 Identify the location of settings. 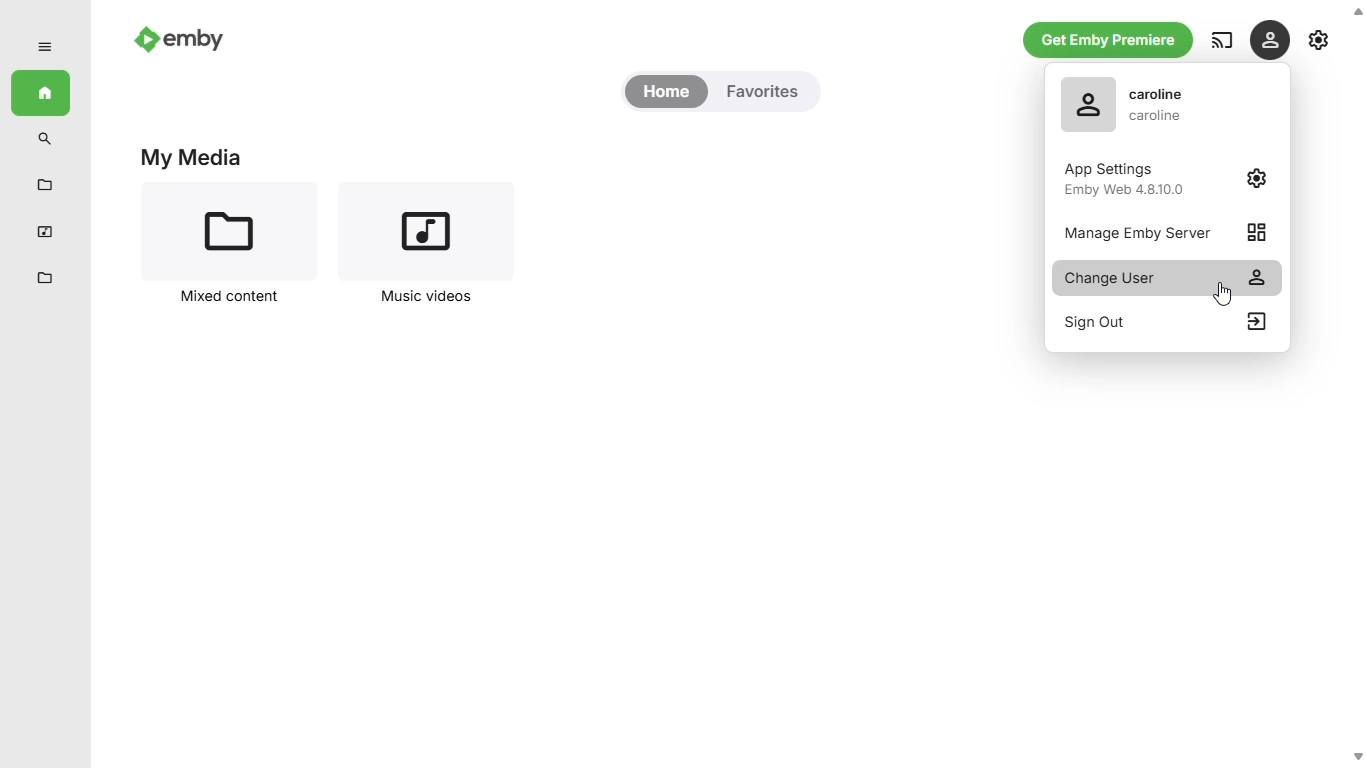
(1269, 39).